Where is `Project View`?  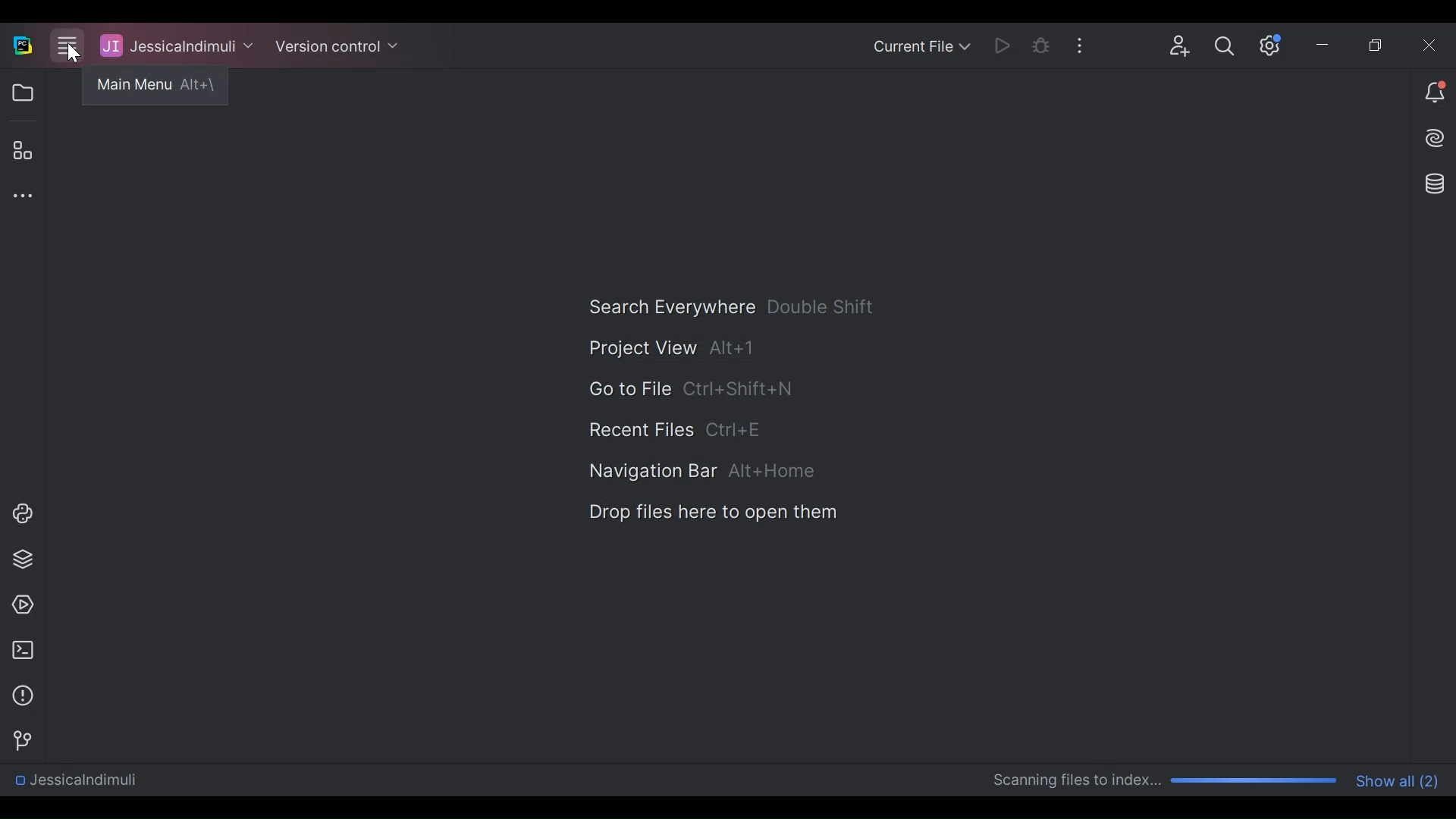 Project View is located at coordinates (22, 93).